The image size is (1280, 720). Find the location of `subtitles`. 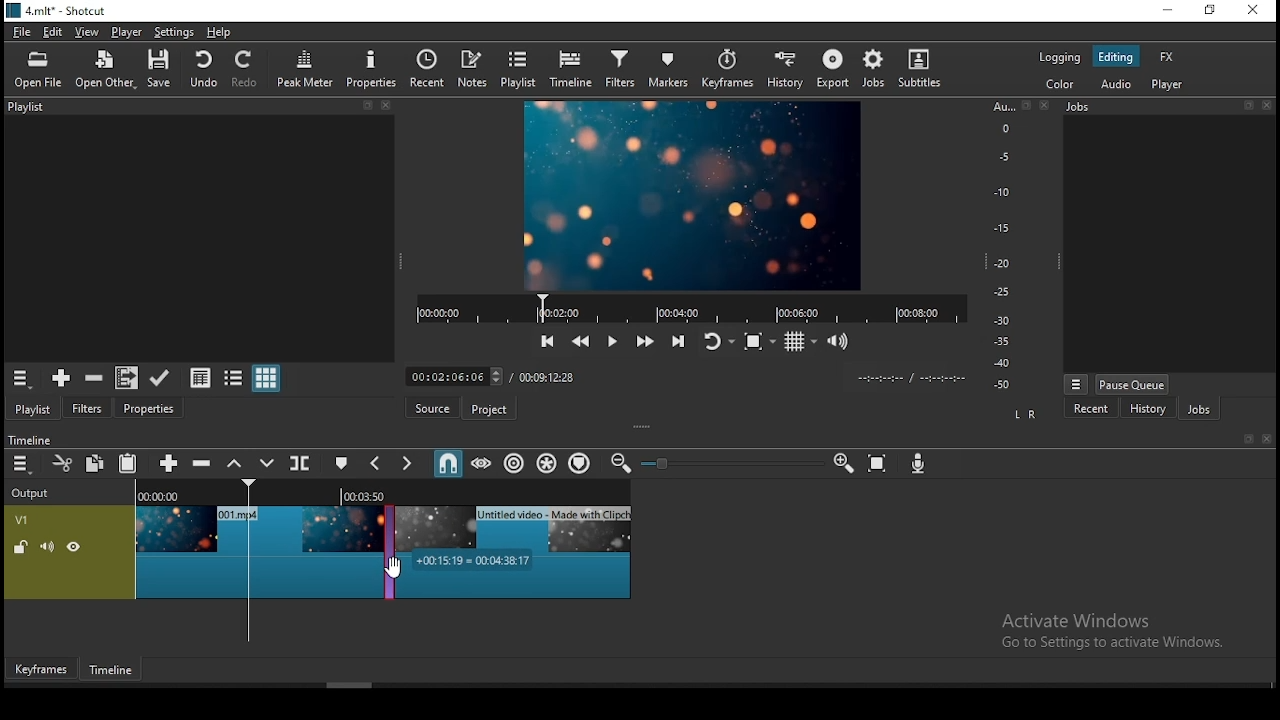

subtitles is located at coordinates (919, 69).